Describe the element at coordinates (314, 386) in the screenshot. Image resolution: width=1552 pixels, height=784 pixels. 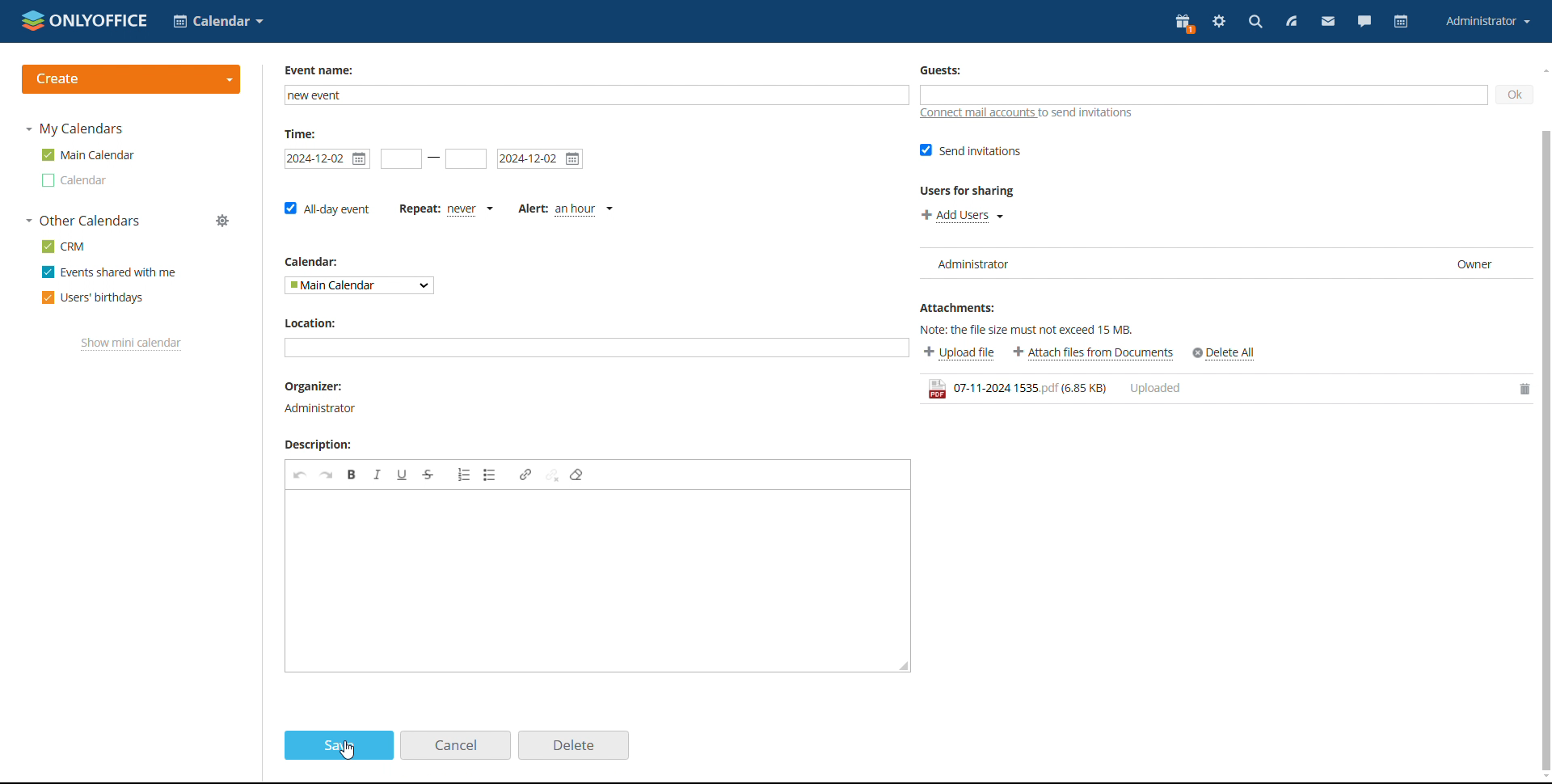
I see `location` at that location.